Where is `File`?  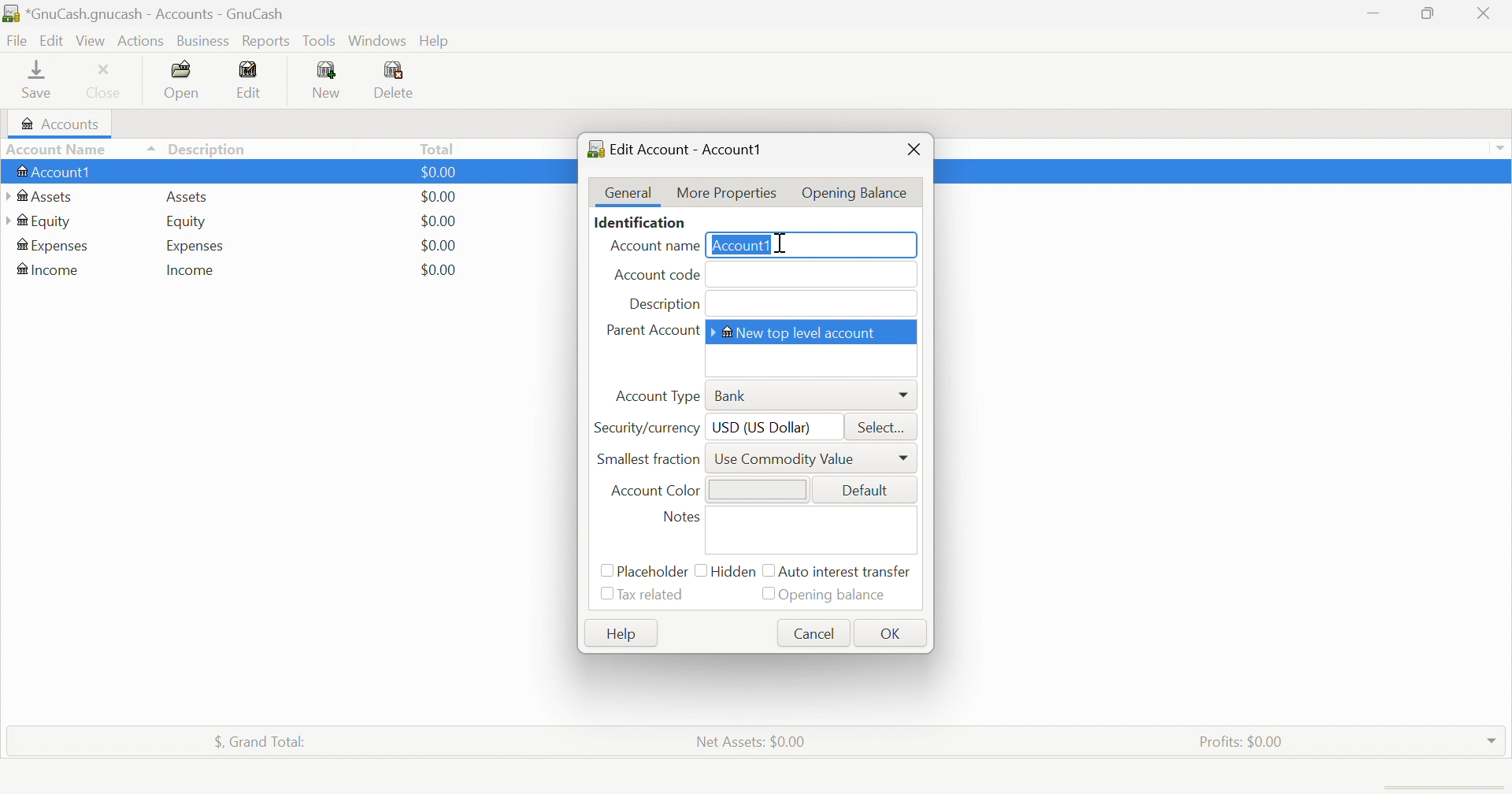 File is located at coordinates (17, 41).